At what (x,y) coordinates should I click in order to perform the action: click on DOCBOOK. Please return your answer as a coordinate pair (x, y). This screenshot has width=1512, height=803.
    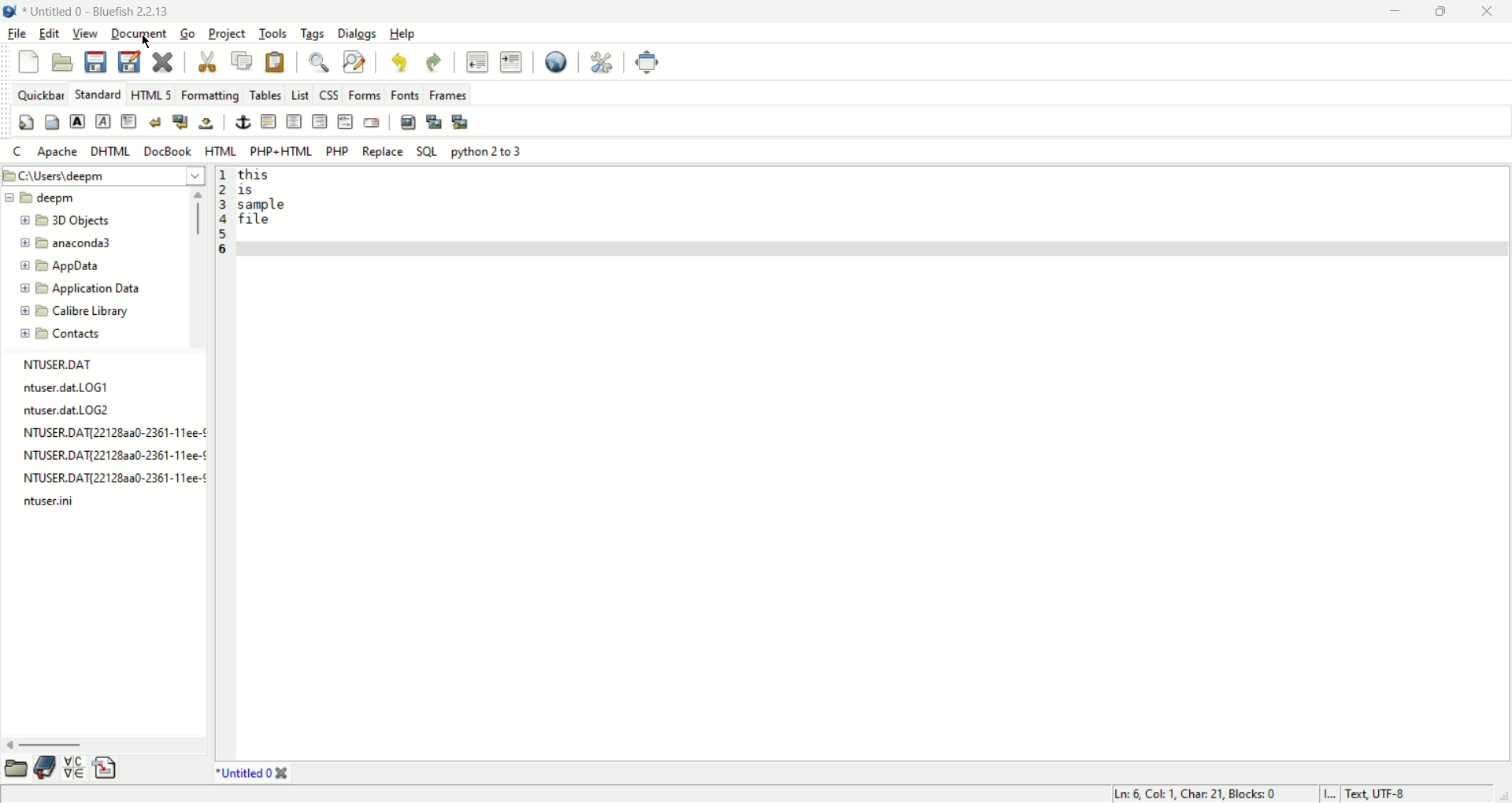
    Looking at the image, I should click on (169, 150).